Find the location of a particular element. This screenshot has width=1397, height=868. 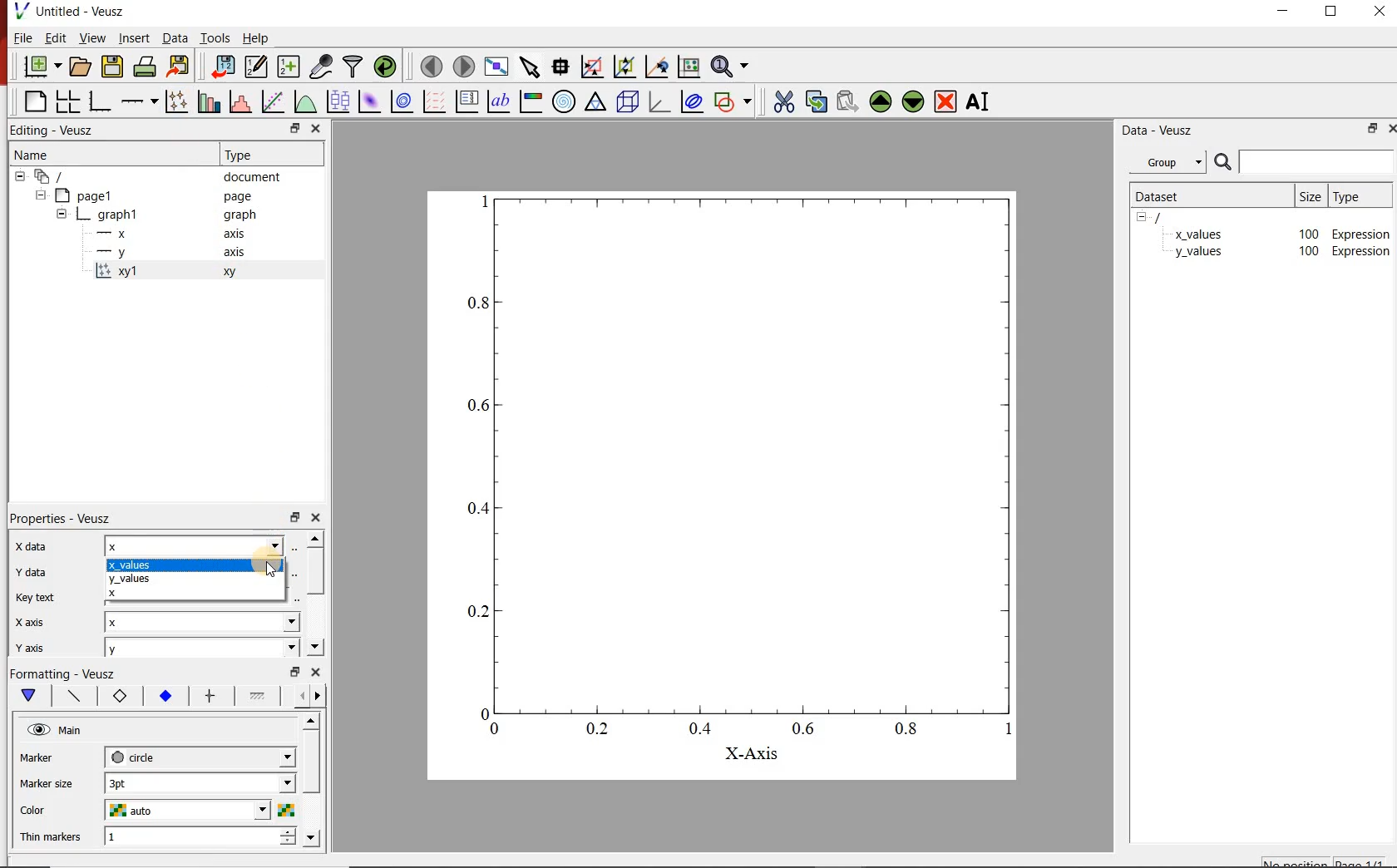

move to next page is located at coordinates (465, 67).